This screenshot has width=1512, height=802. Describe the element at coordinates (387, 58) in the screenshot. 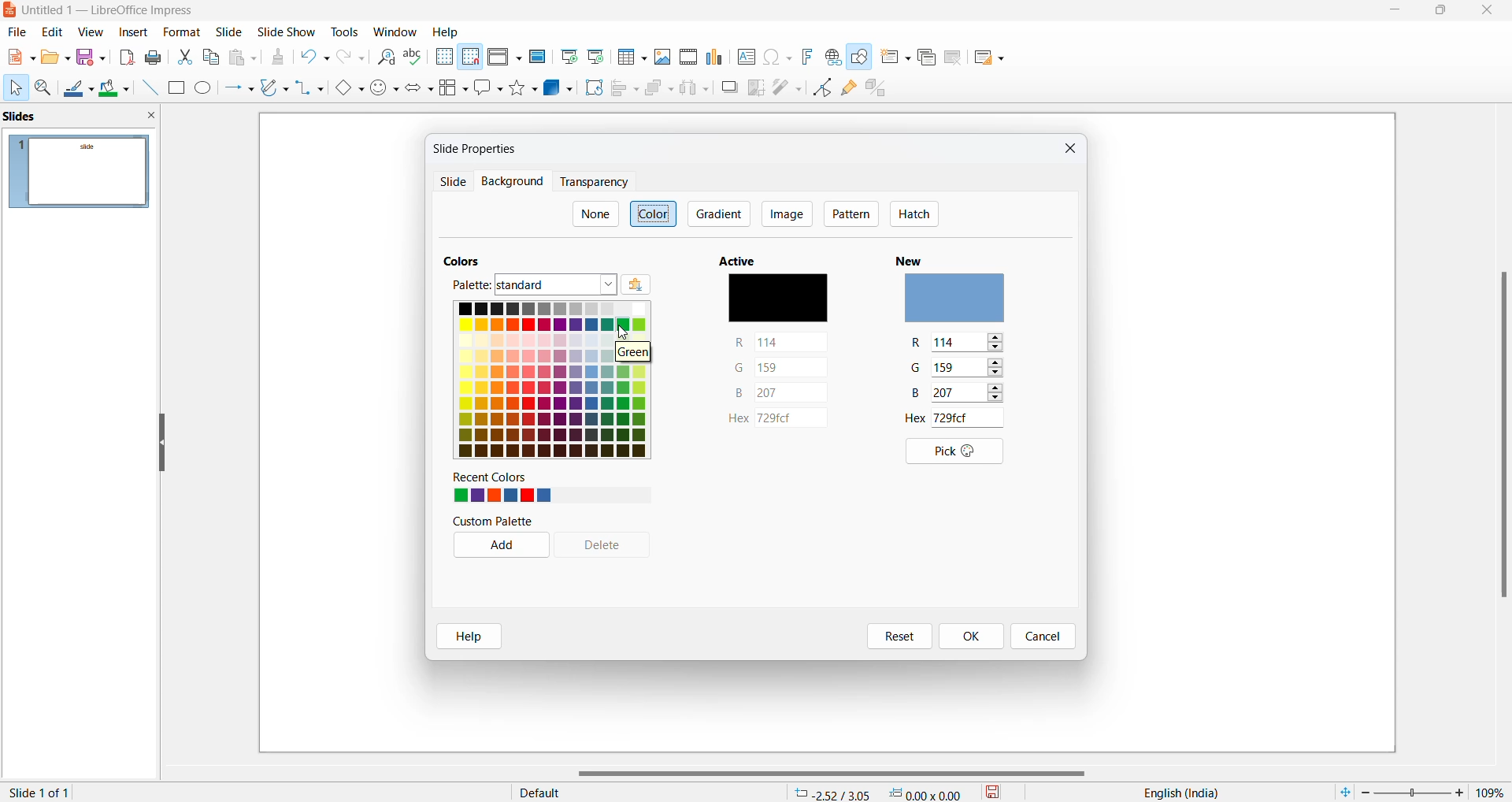

I see `find ` at that location.